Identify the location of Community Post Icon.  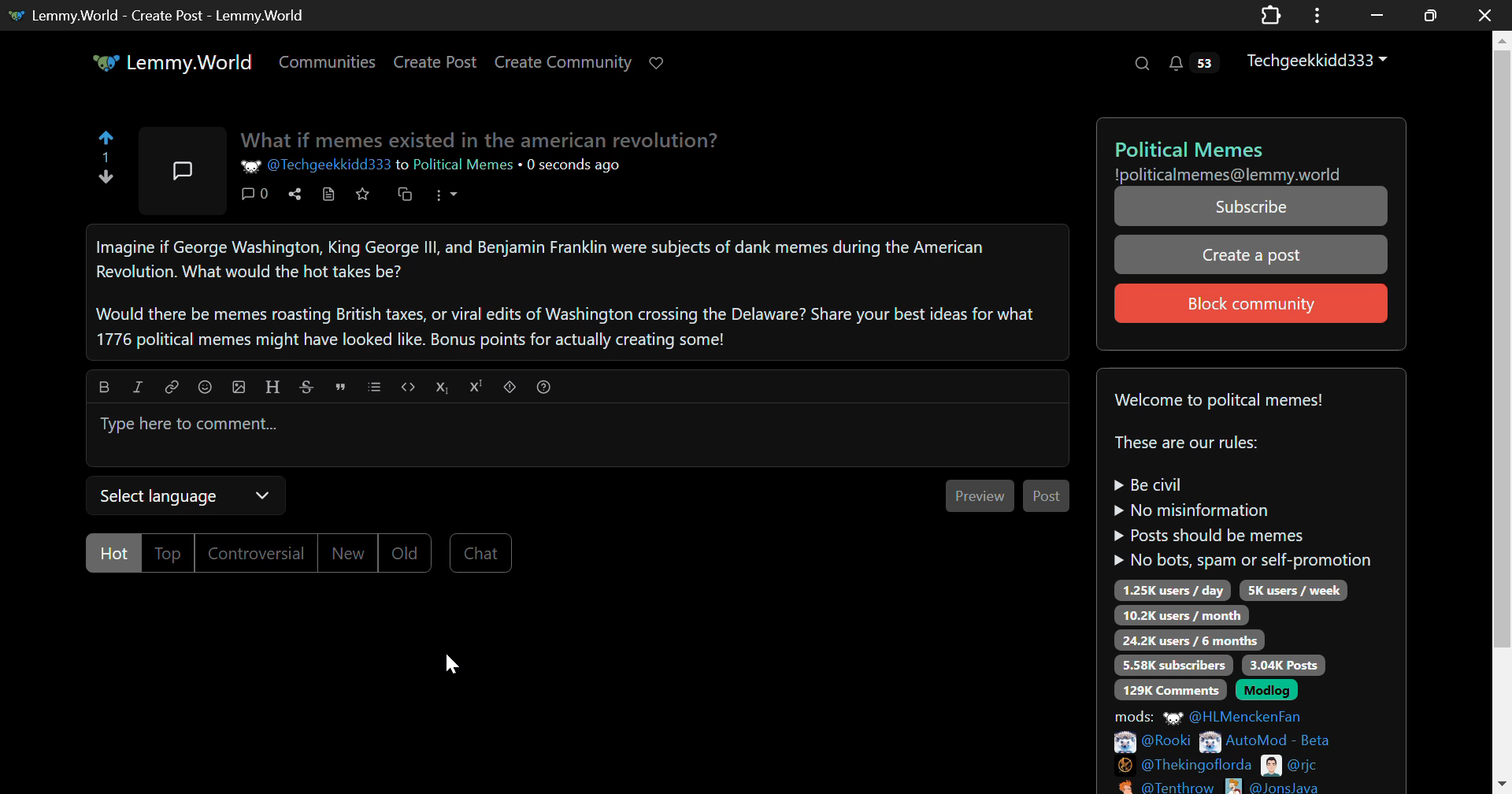
(180, 171).